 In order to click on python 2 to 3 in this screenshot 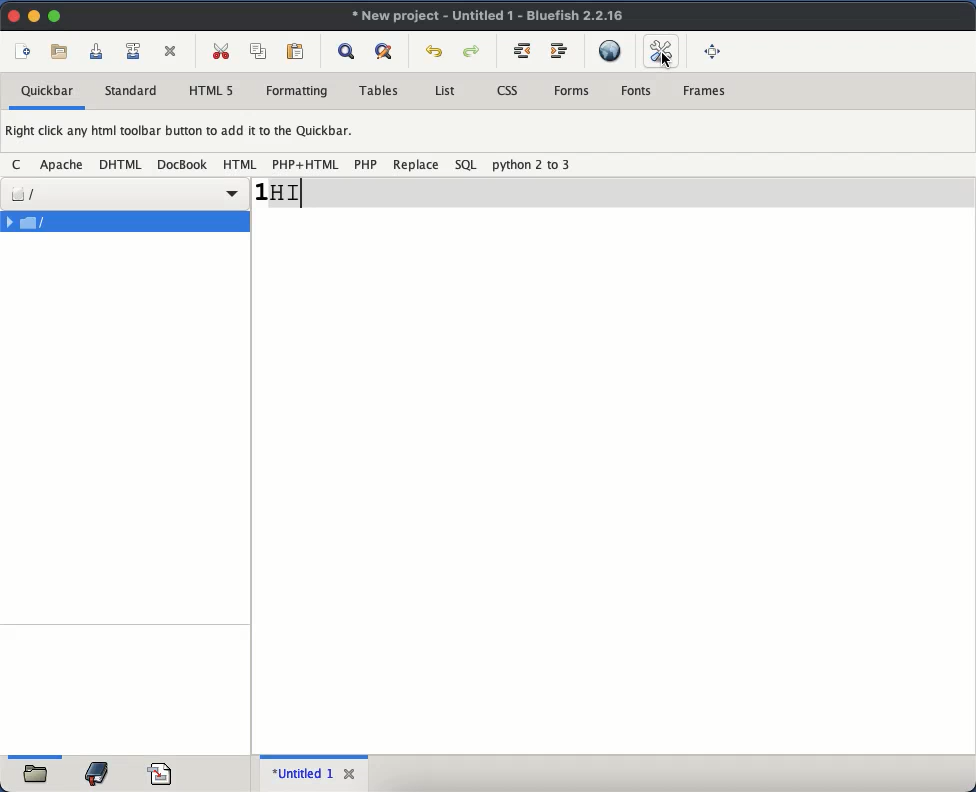, I will do `click(531, 166)`.